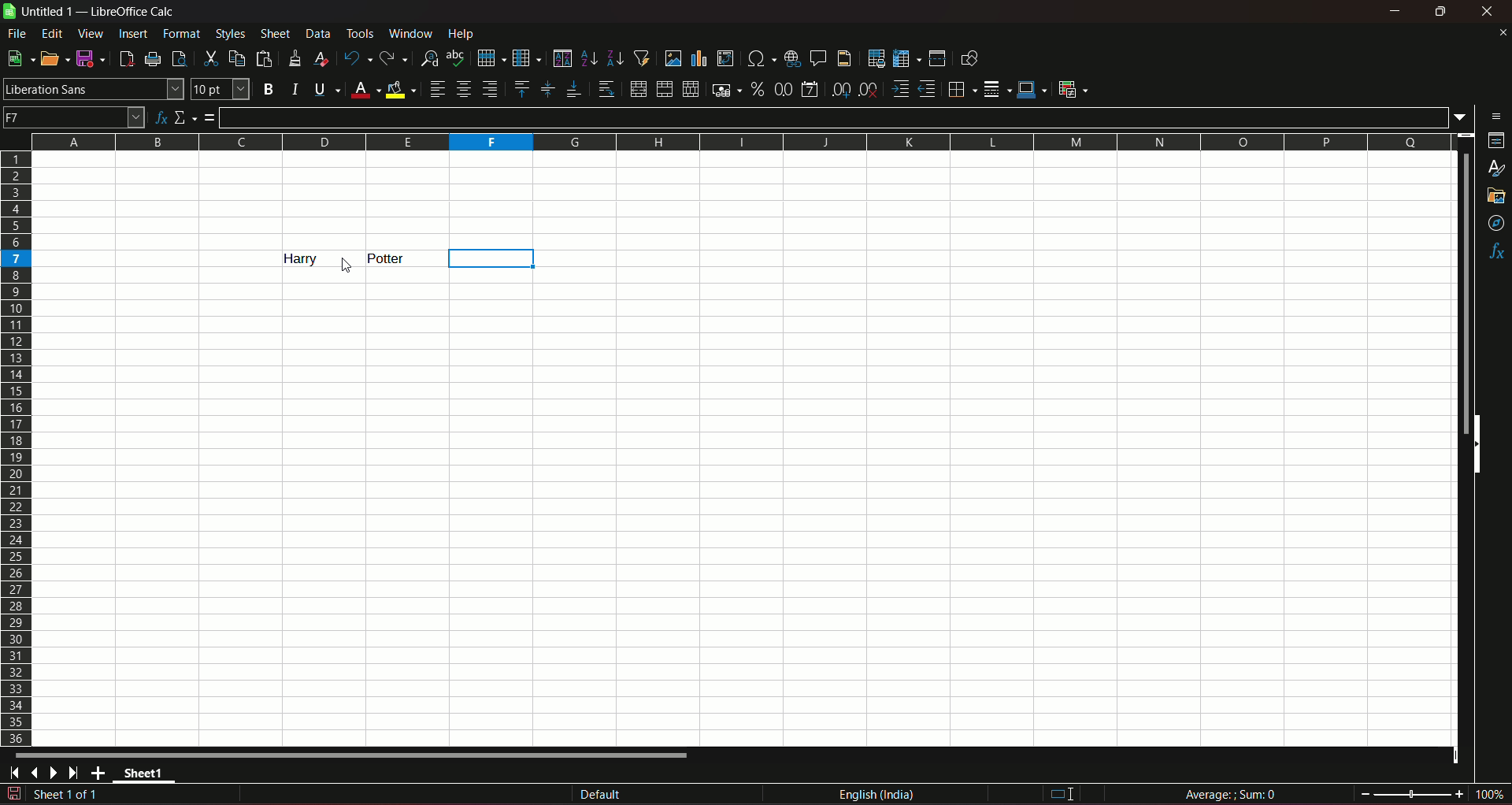 The height and width of the screenshot is (805, 1512). What do you see at coordinates (159, 118) in the screenshot?
I see `function wizard` at bounding box center [159, 118].